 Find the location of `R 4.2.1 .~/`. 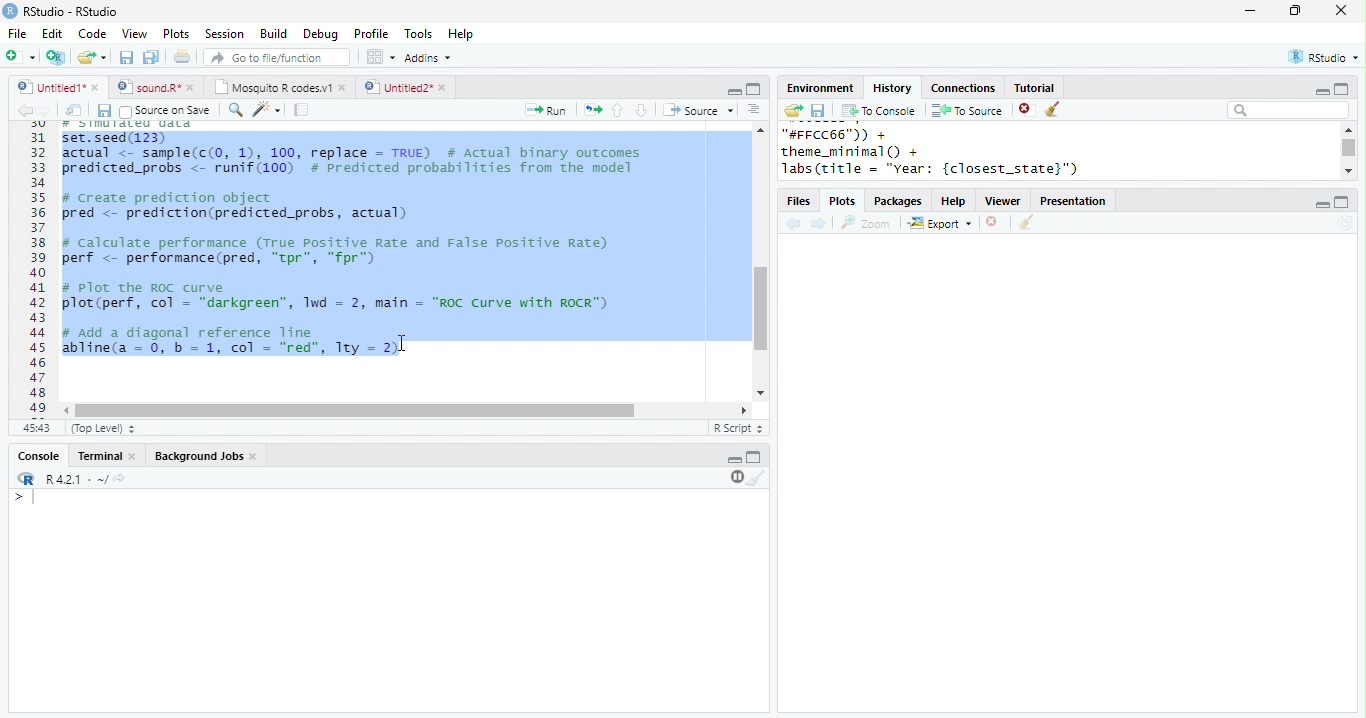

R 4.2.1 .~/ is located at coordinates (73, 480).